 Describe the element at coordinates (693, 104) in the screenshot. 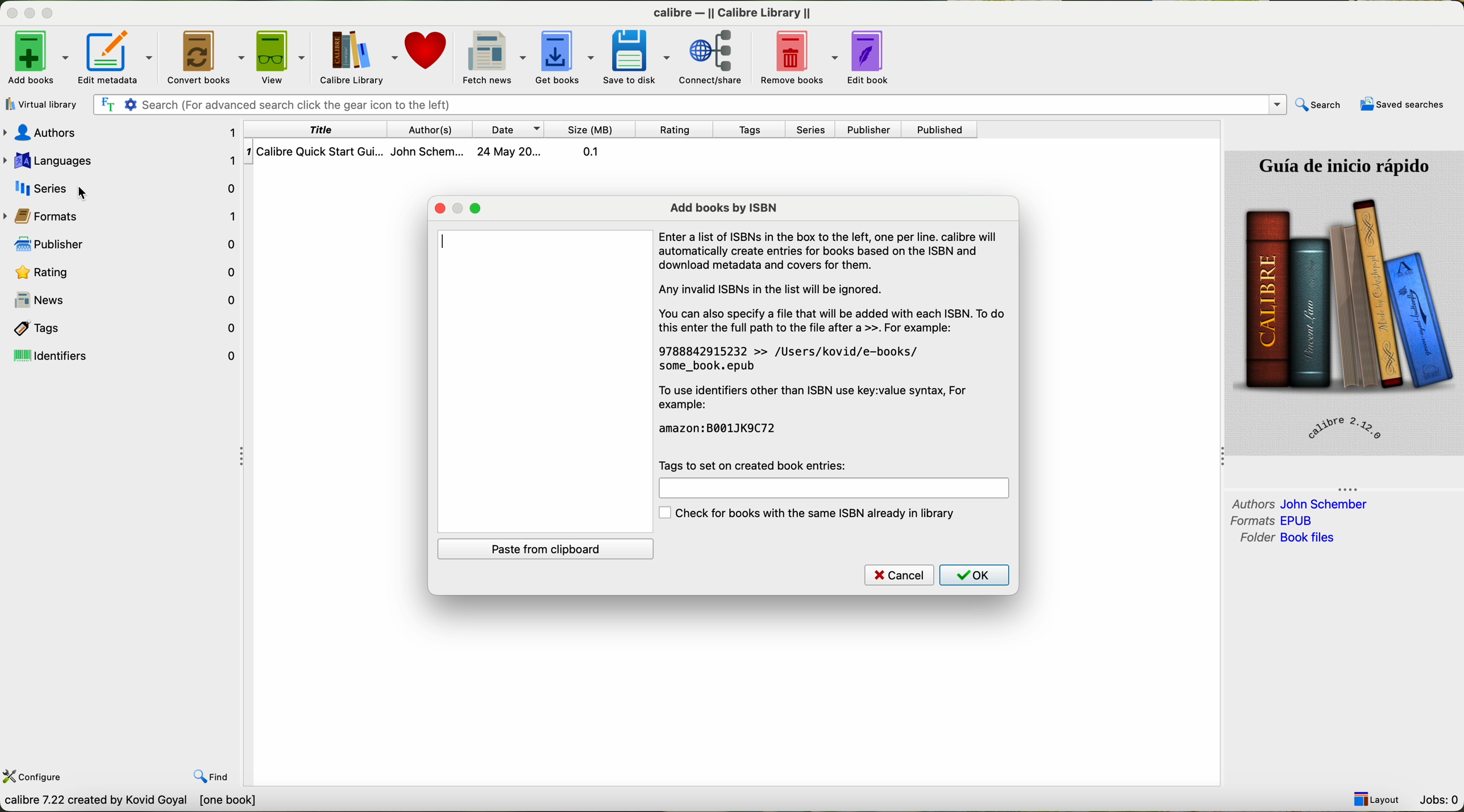

I see `searrch bar` at that location.